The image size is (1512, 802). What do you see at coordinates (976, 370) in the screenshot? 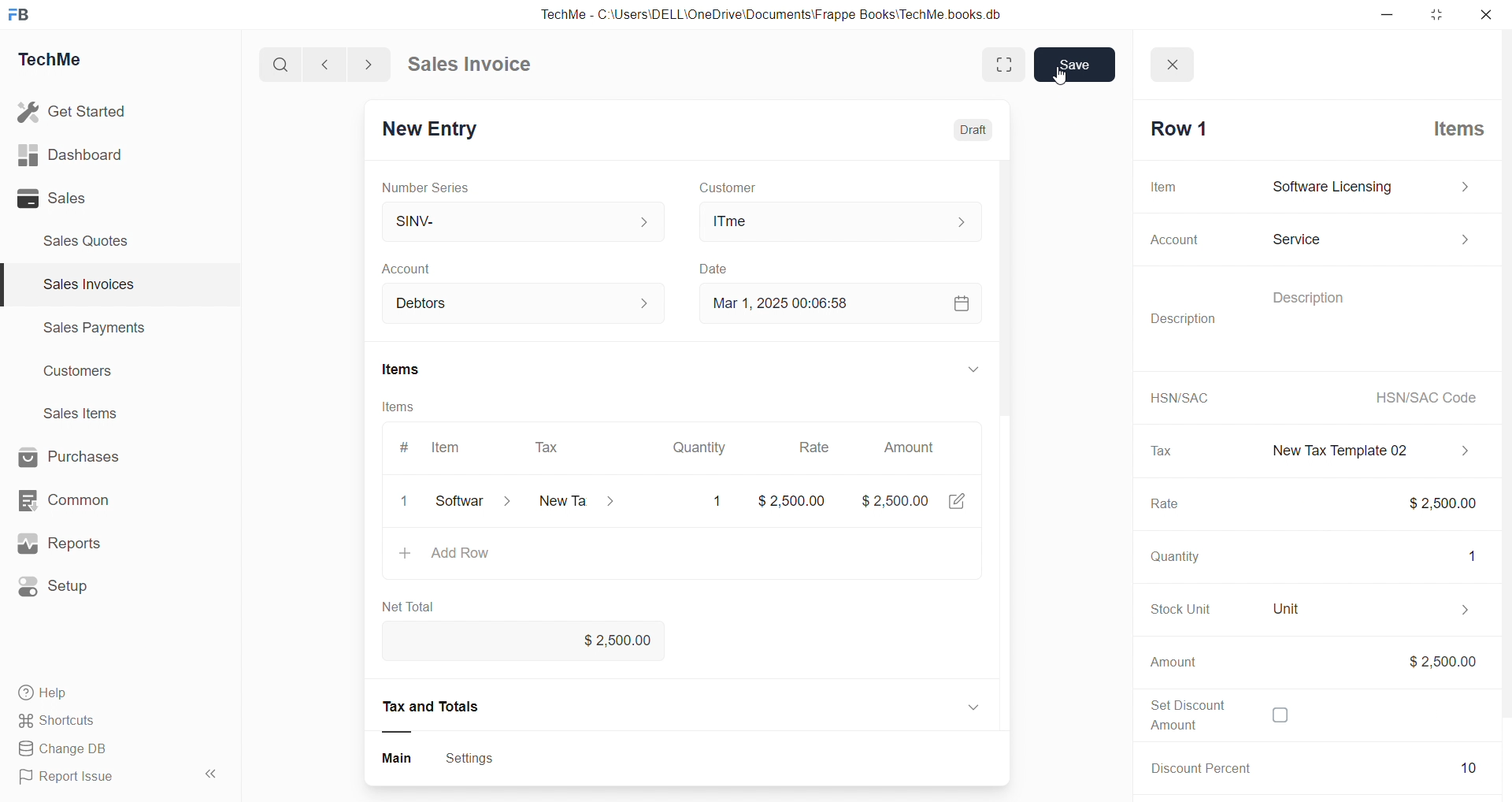
I see `doopdown` at bounding box center [976, 370].